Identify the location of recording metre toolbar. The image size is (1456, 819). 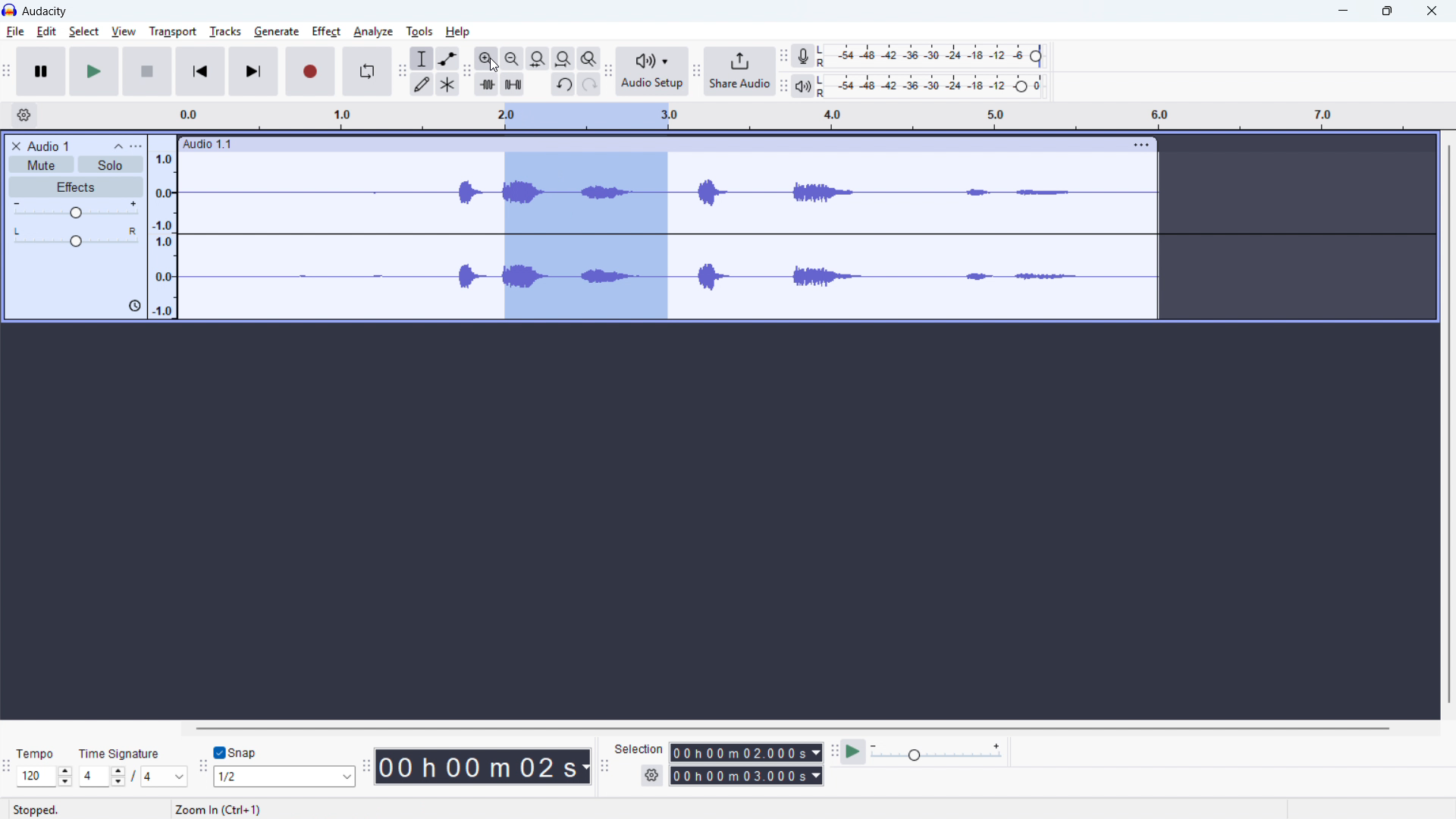
(785, 55).